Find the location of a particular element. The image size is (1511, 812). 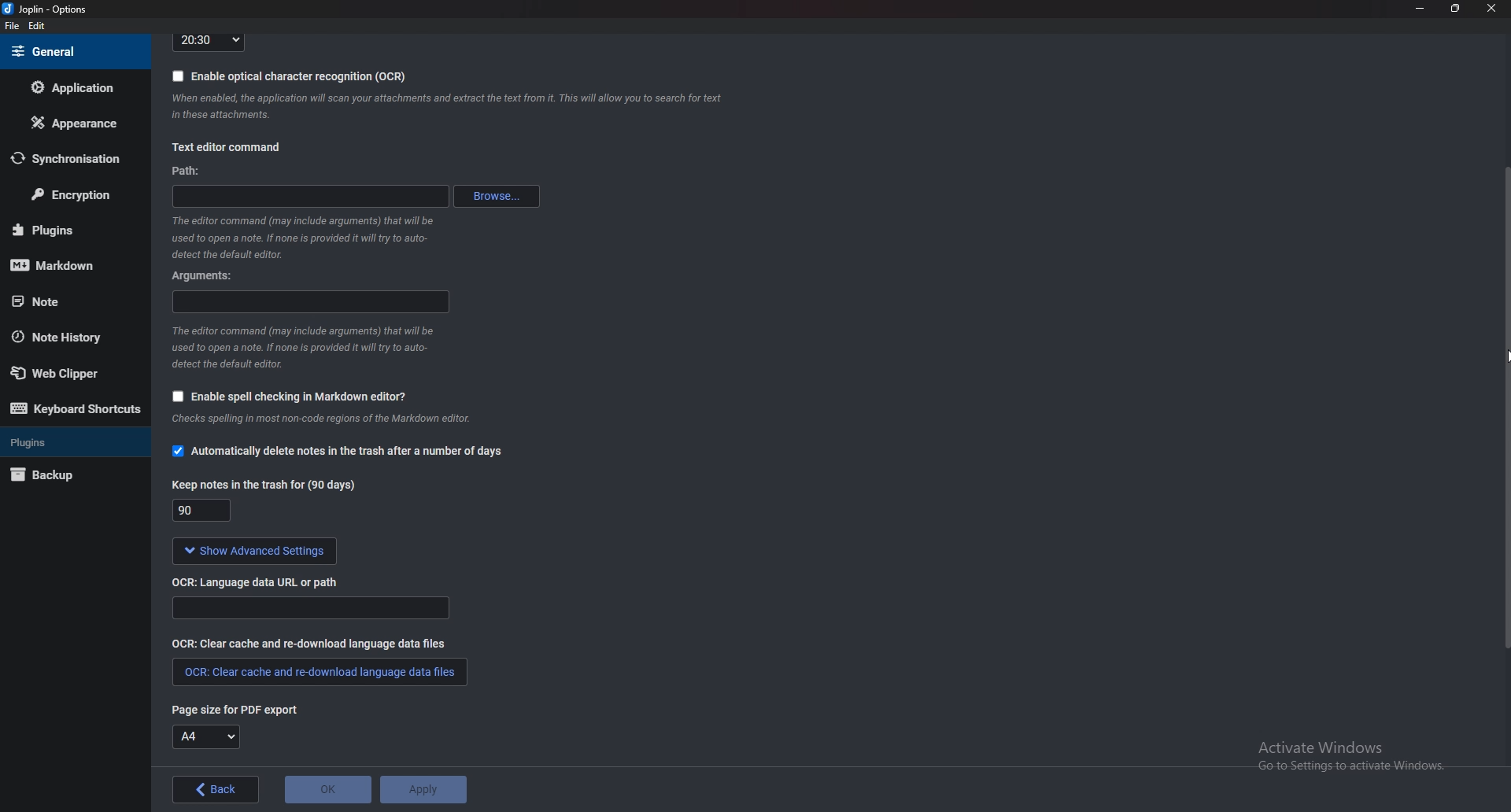

path is located at coordinates (188, 172).